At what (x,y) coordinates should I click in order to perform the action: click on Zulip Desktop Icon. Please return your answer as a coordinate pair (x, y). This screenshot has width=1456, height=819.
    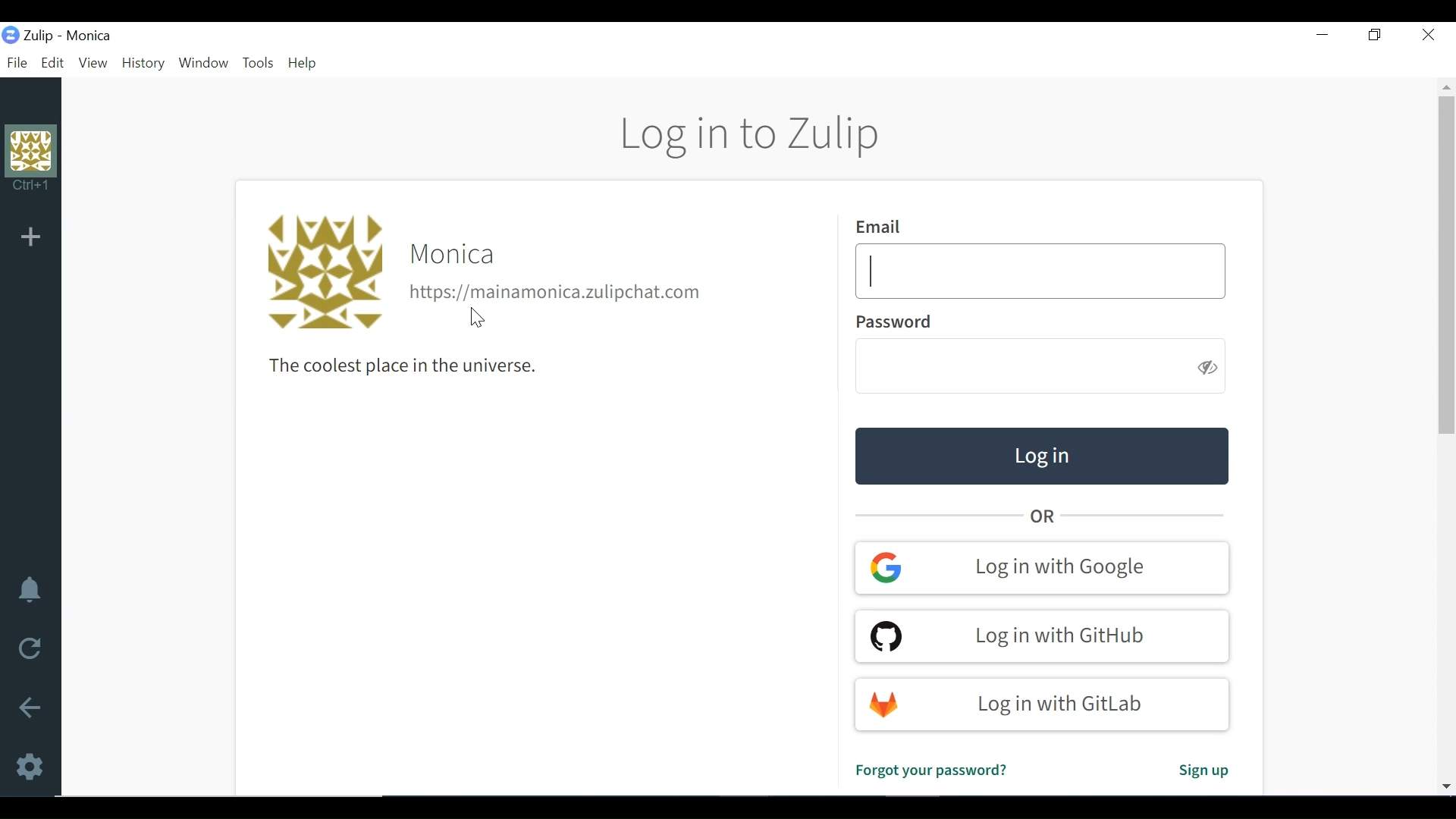
    Looking at the image, I should click on (31, 35).